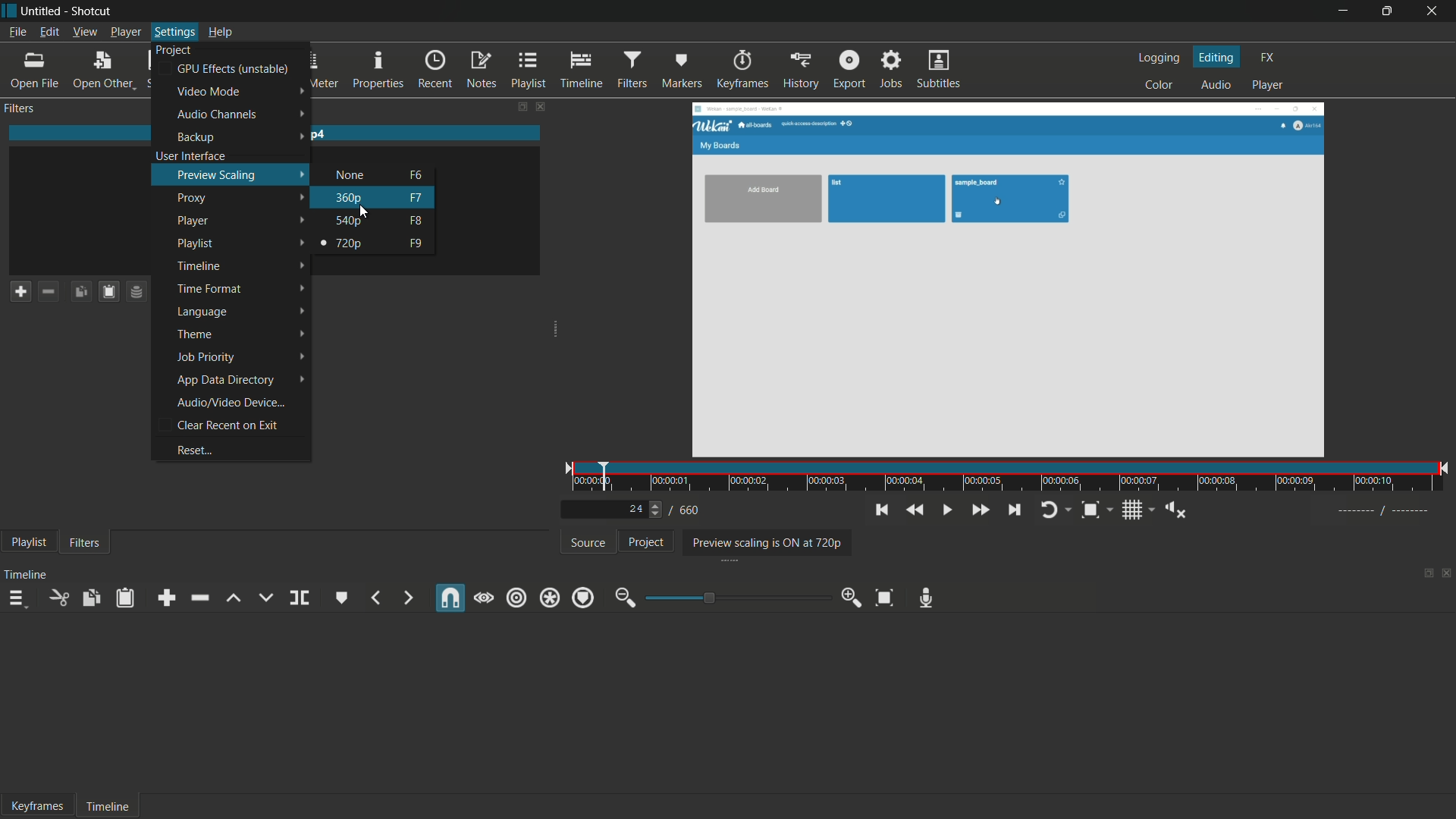  I want to click on toggle grid, so click(1132, 511).